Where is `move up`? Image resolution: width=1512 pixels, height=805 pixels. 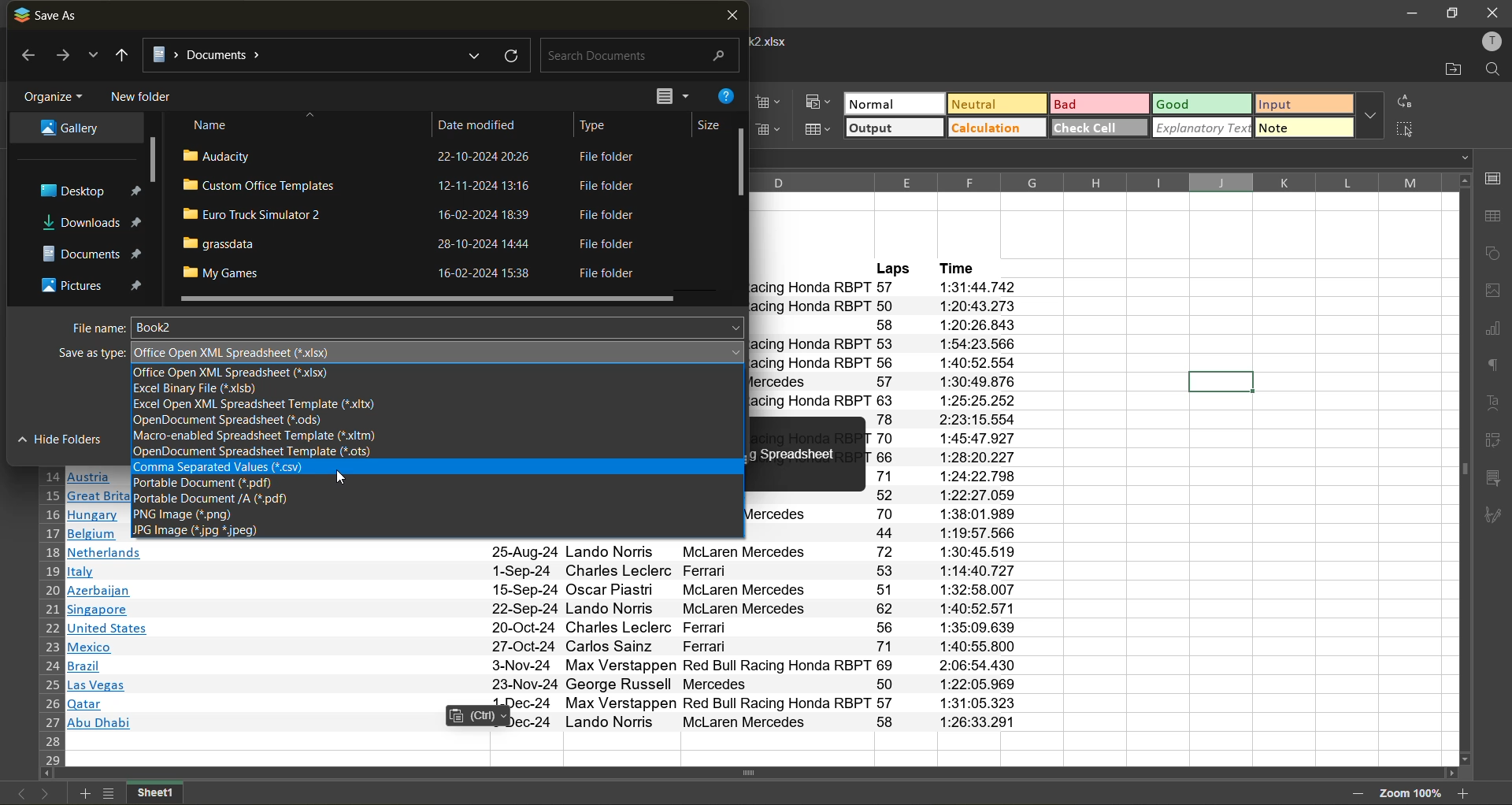
move up is located at coordinates (1463, 181).